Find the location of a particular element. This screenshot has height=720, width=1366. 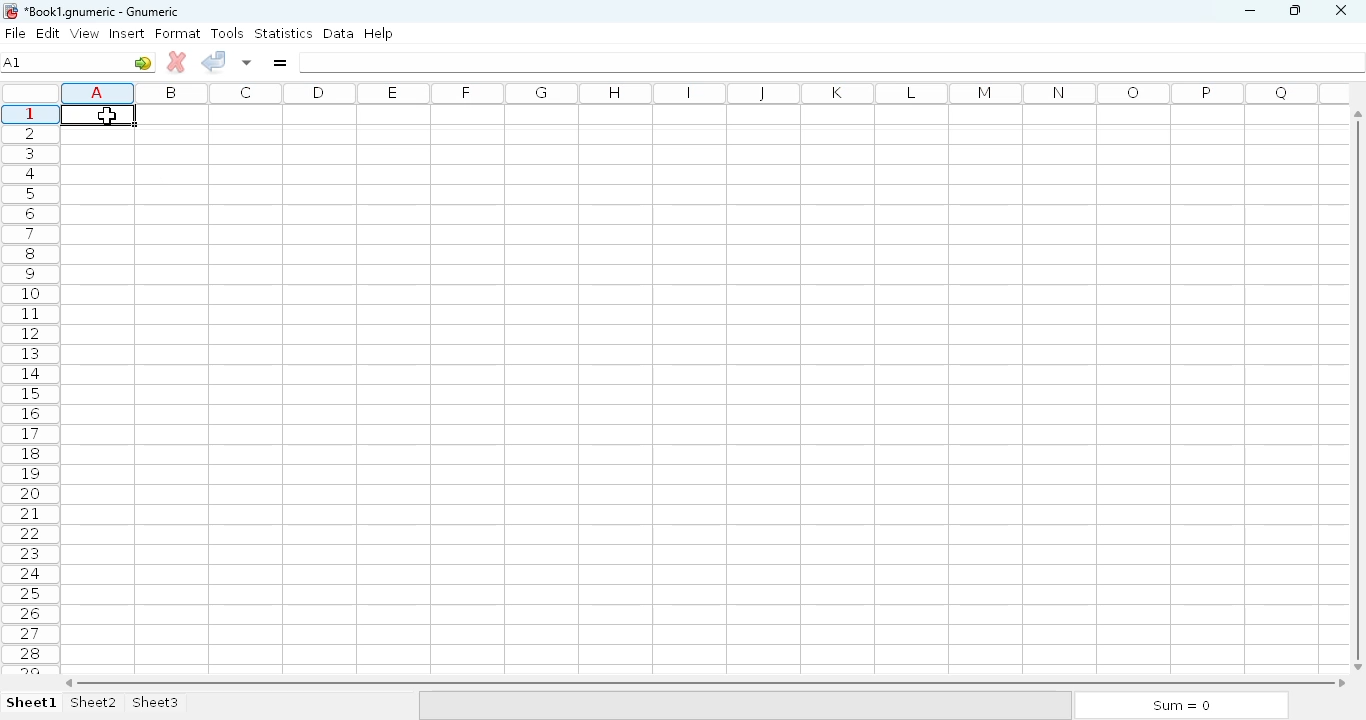

logo is located at coordinates (9, 11).